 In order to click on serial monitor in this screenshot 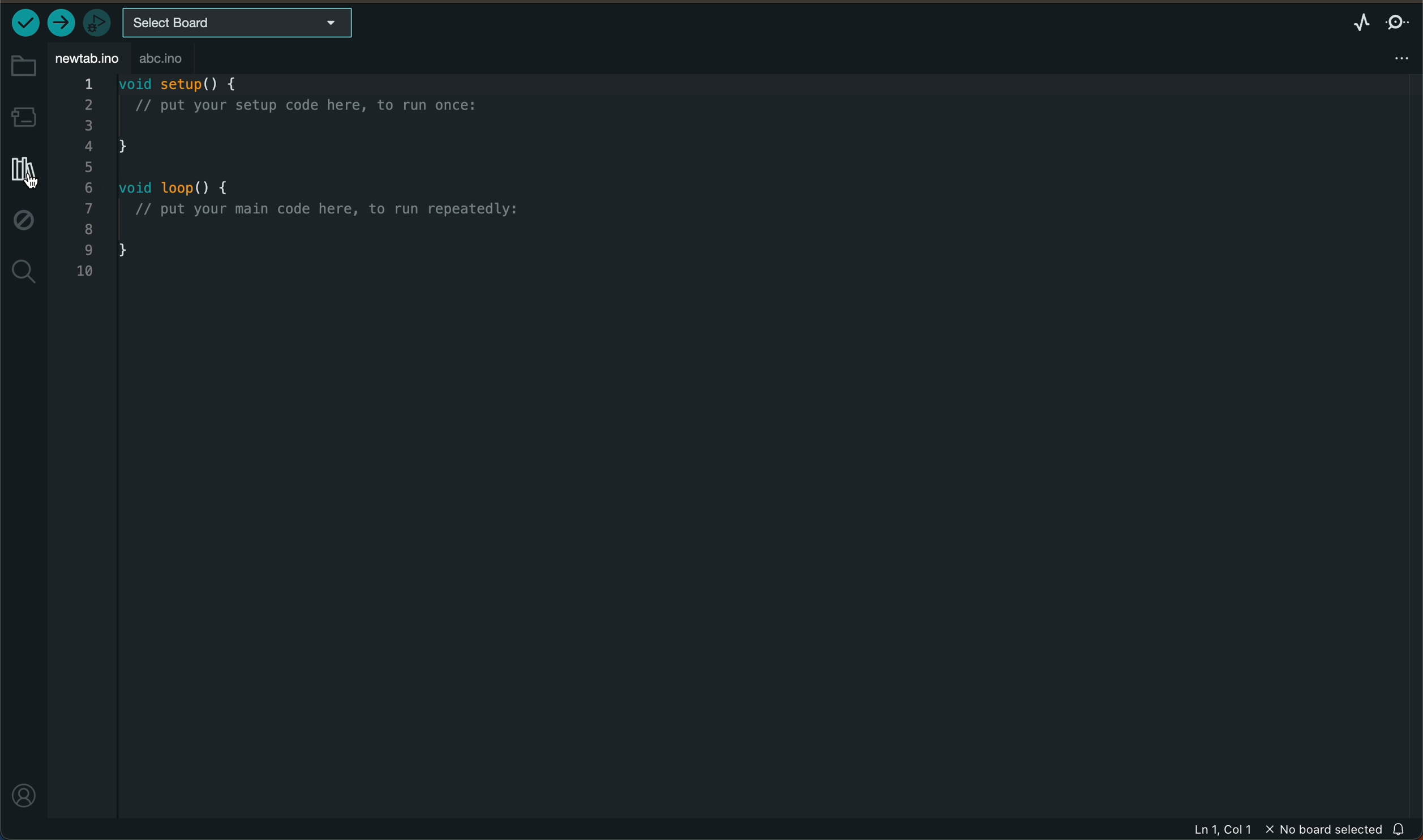, I will do `click(1398, 23)`.